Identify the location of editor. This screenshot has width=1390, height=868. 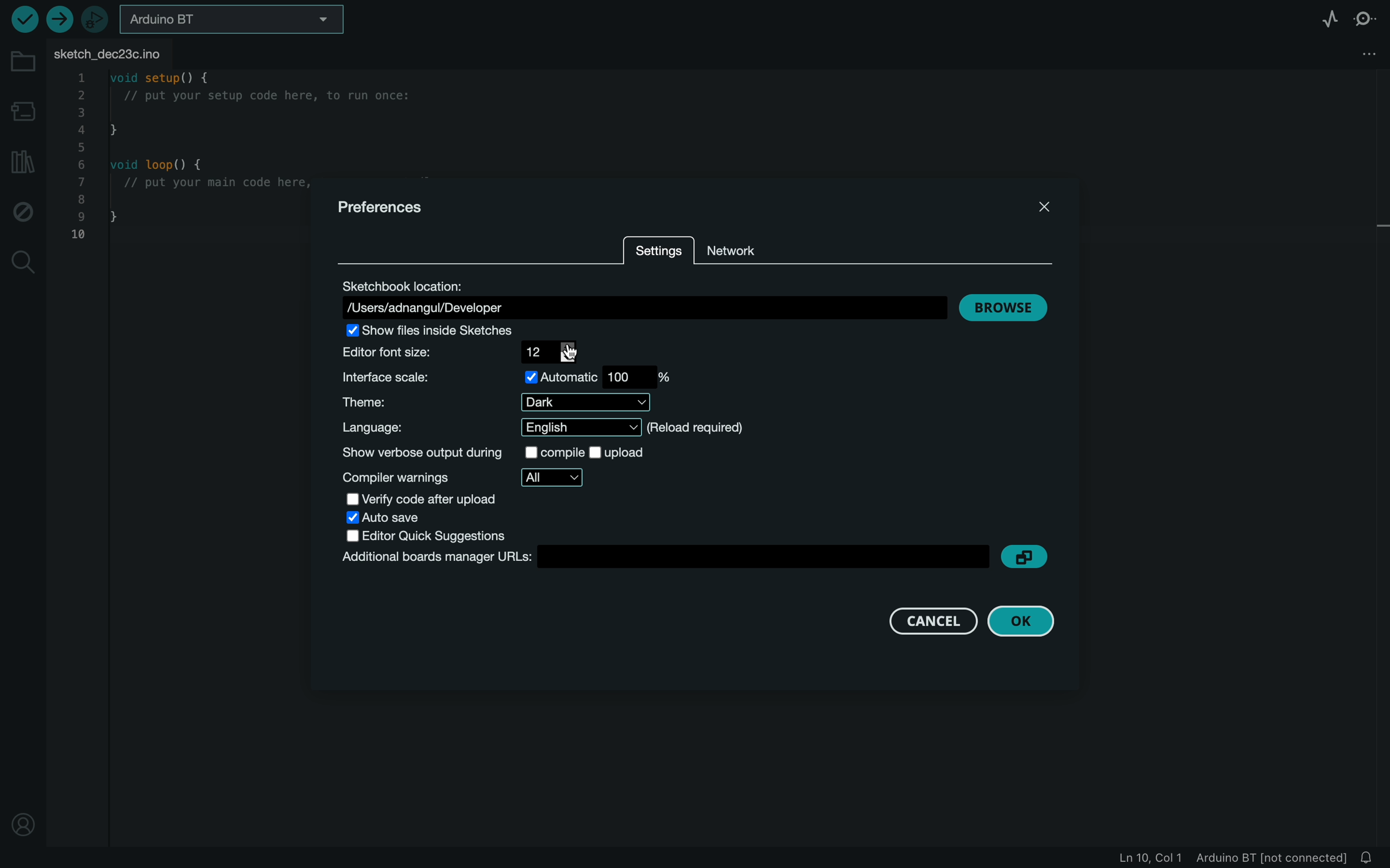
(466, 536).